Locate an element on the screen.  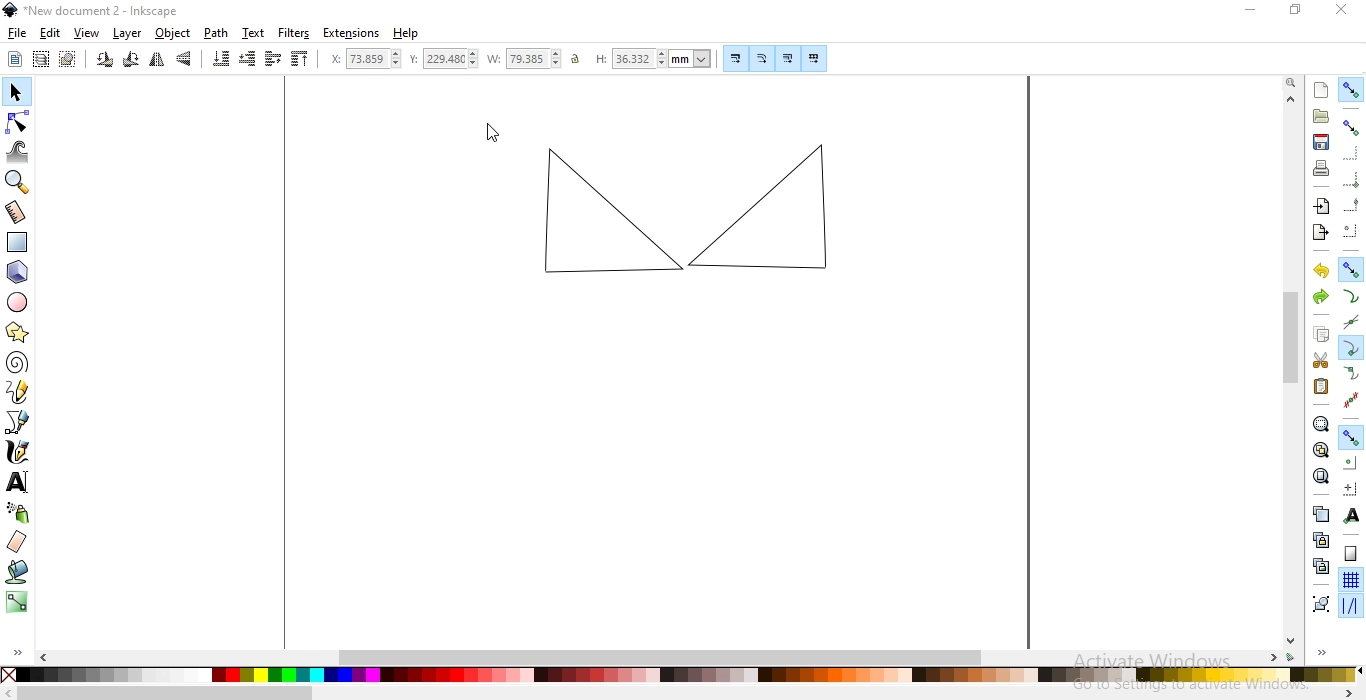
layer is located at coordinates (128, 33).